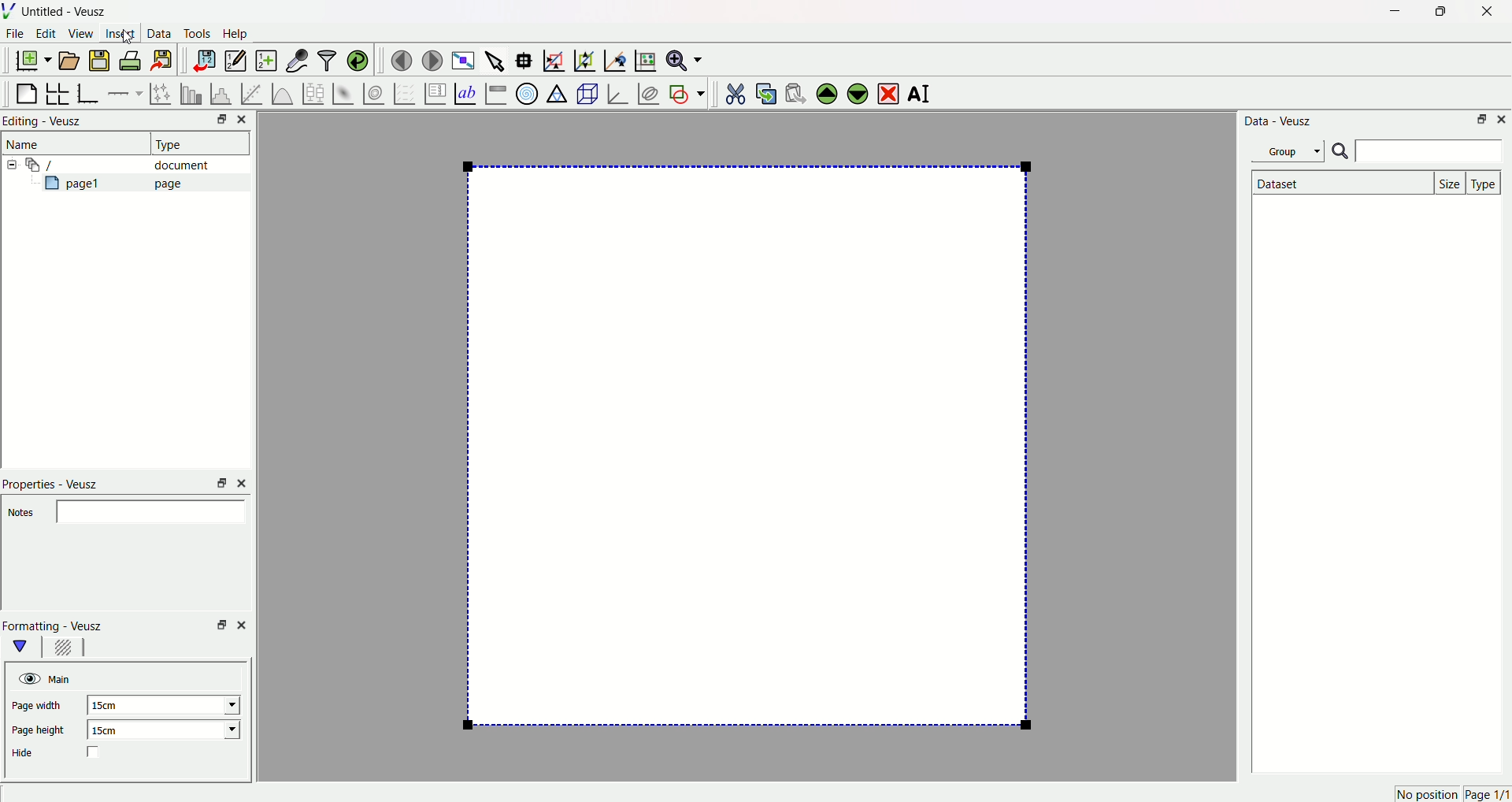 The width and height of the screenshot is (1512, 802). Describe the element at coordinates (1425, 794) in the screenshot. I see `no position` at that location.